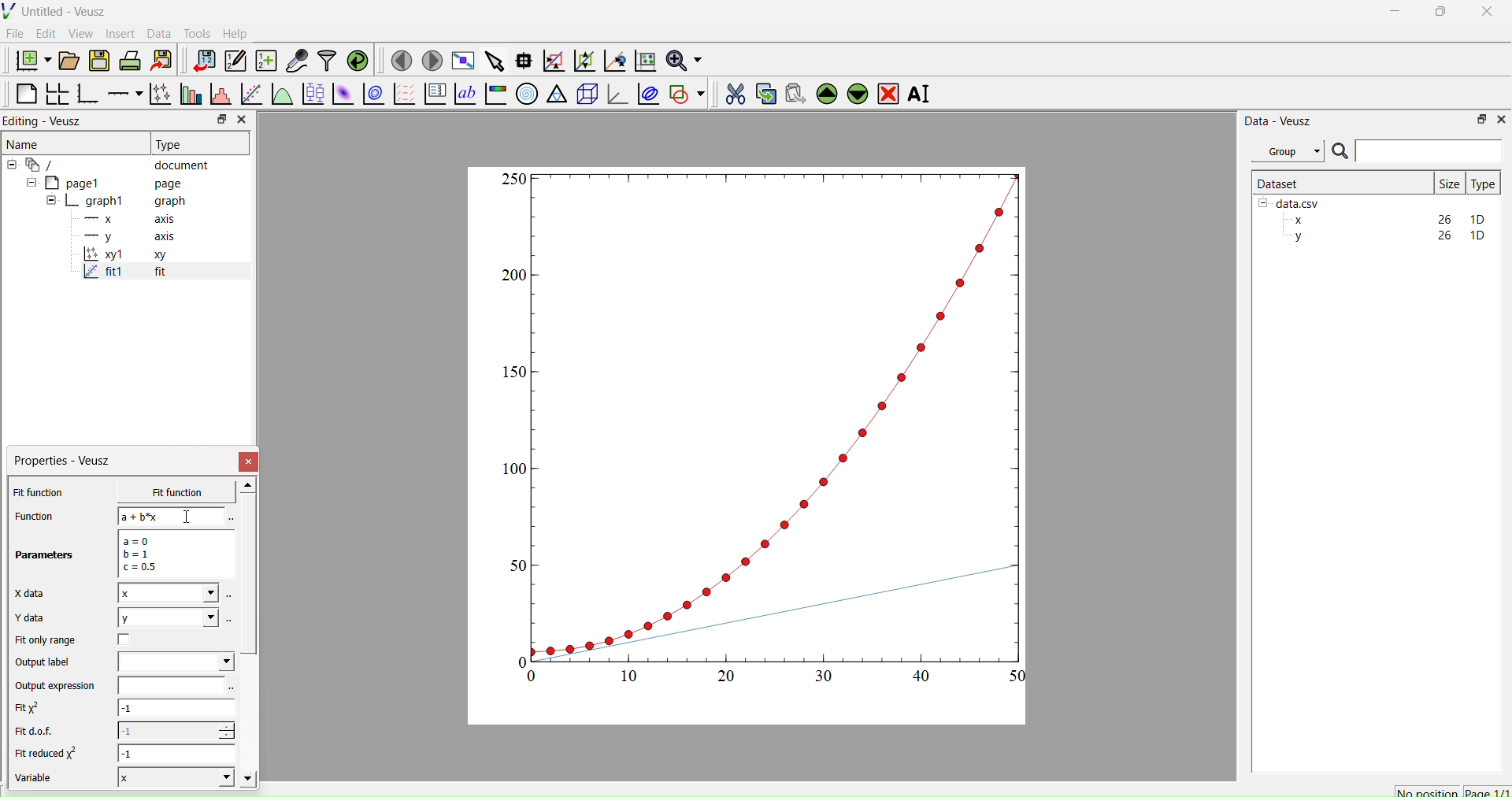 The width and height of the screenshot is (1512, 797). What do you see at coordinates (730, 91) in the screenshot?
I see `Cut` at bounding box center [730, 91].